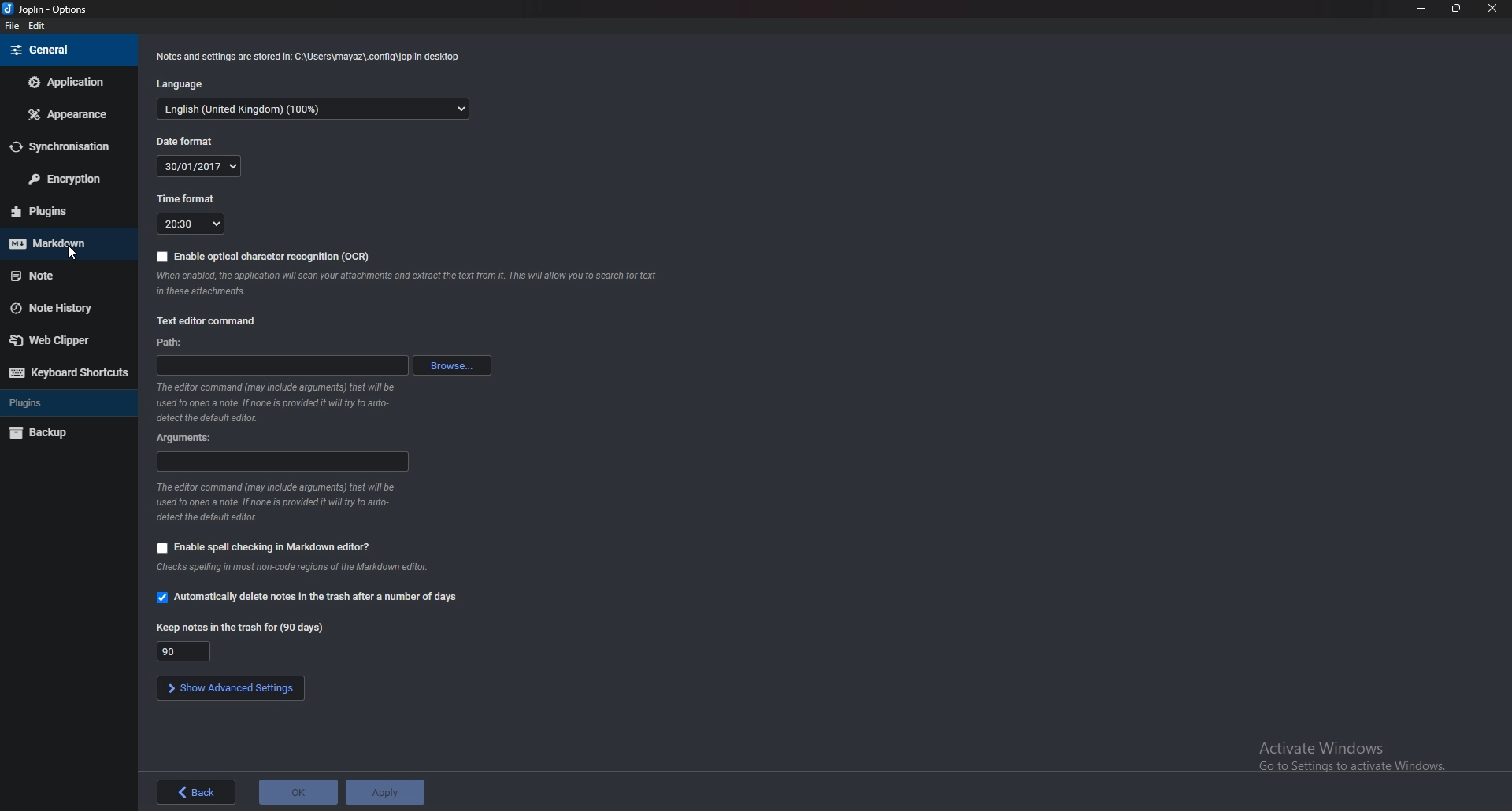 Image resolution: width=1512 pixels, height=811 pixels. Describe the element at coordinates (61, 432) in the screenshot. I see `Back up` at that location.